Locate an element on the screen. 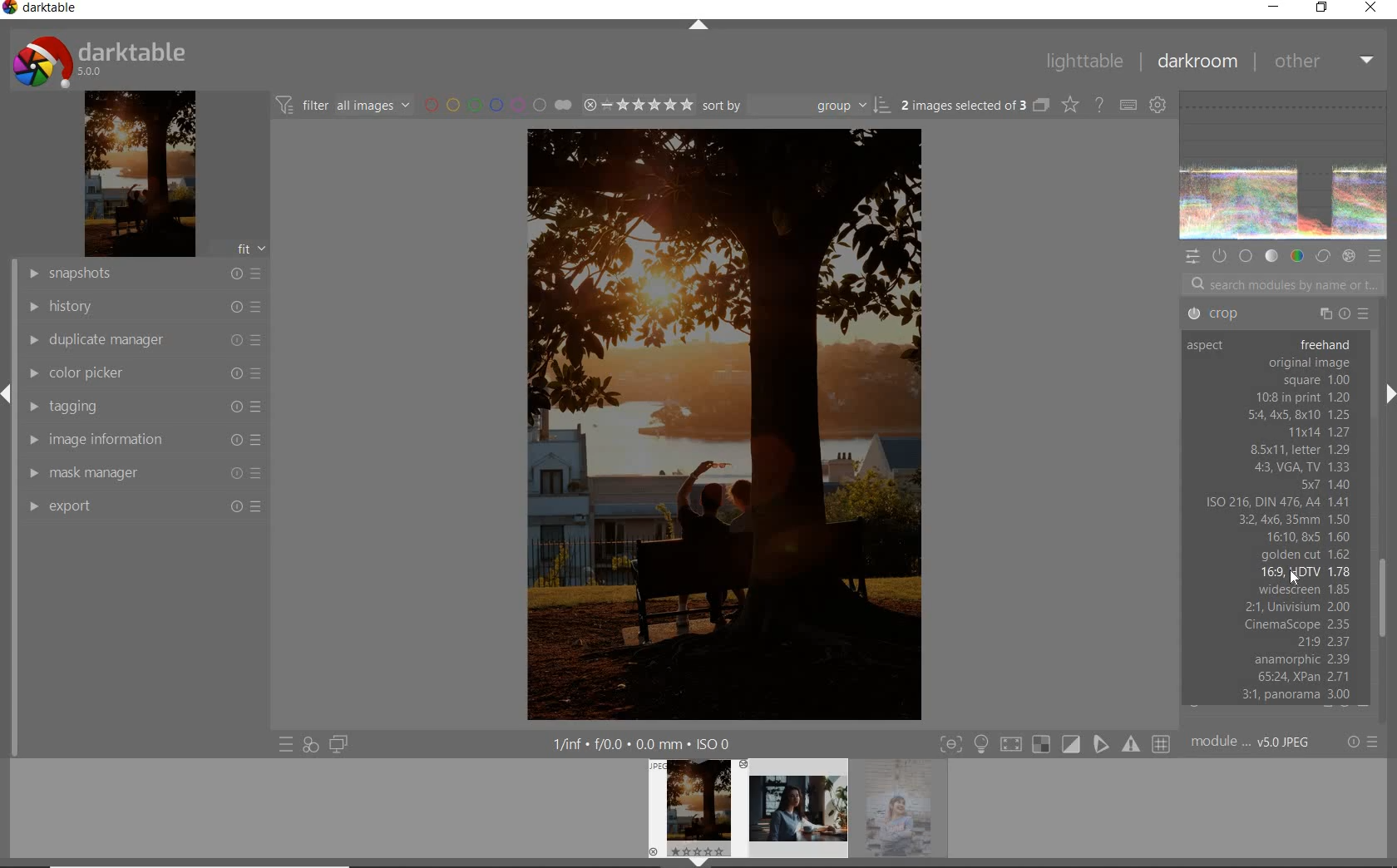  history is located at coordinates (146, 308).